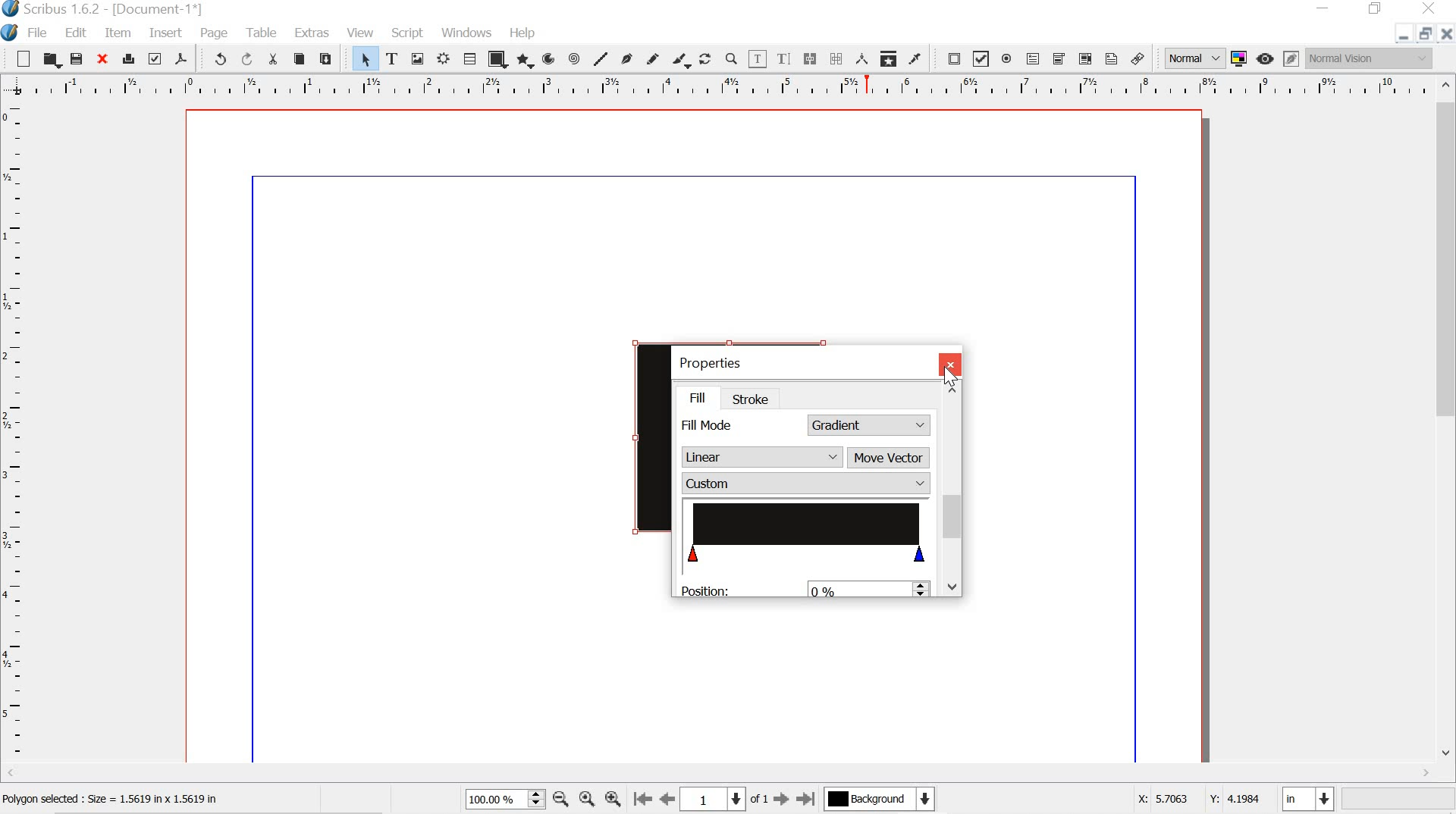  What do you see at coordinates (331, 59) in the screenshot?
I see `paste` at bounding box center [331, 59].